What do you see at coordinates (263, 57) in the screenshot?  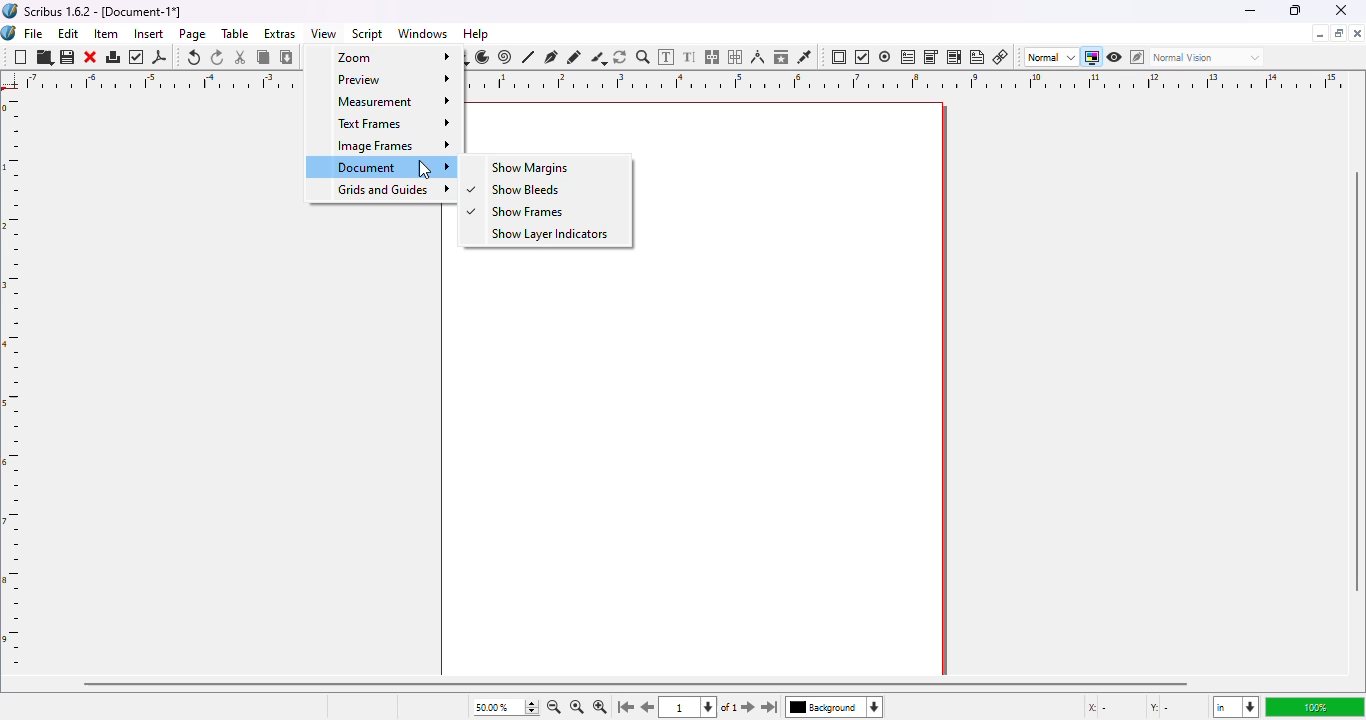 I see `copy` at bounding box center [263, 57].